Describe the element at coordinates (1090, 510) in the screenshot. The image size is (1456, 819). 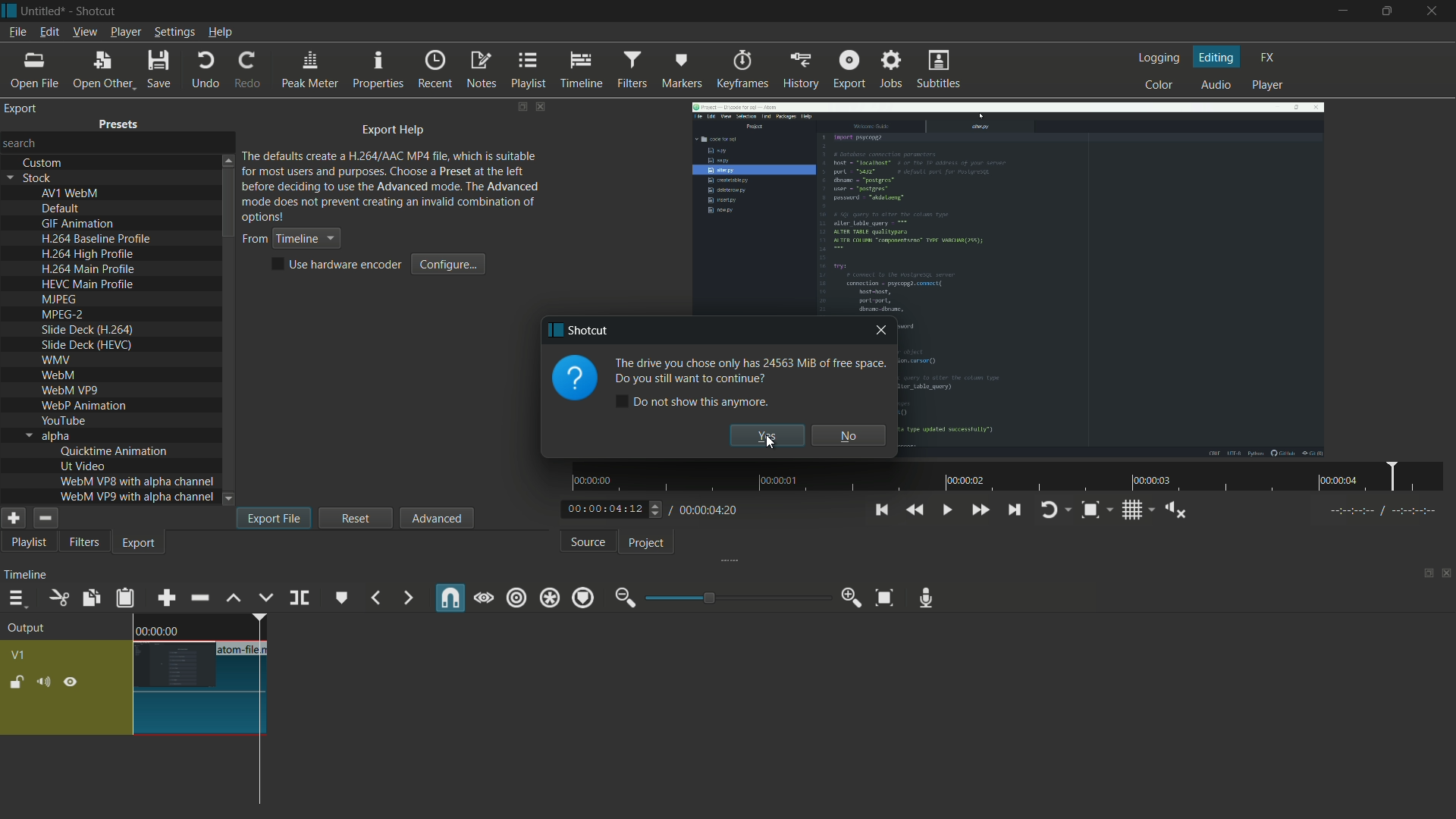
I see `toggle zoom` at that location.